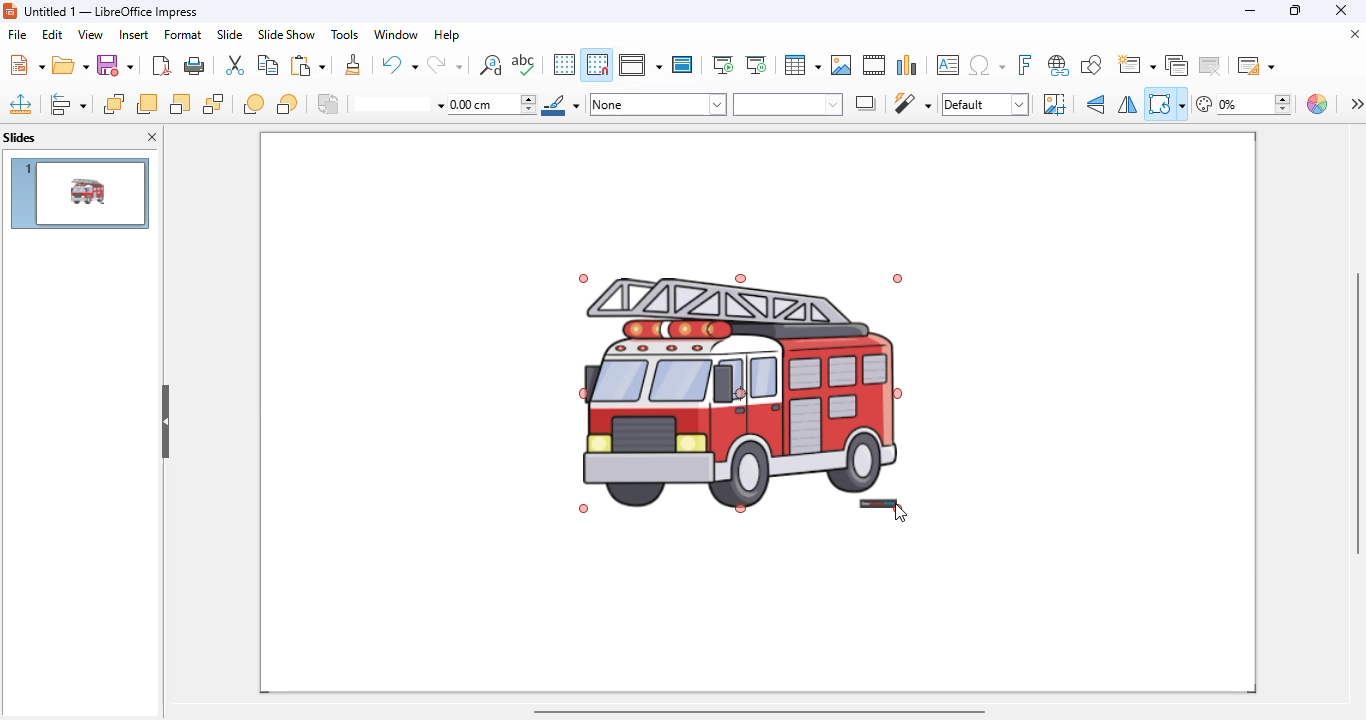  I want to click on slide layout, so click(1254, 64).